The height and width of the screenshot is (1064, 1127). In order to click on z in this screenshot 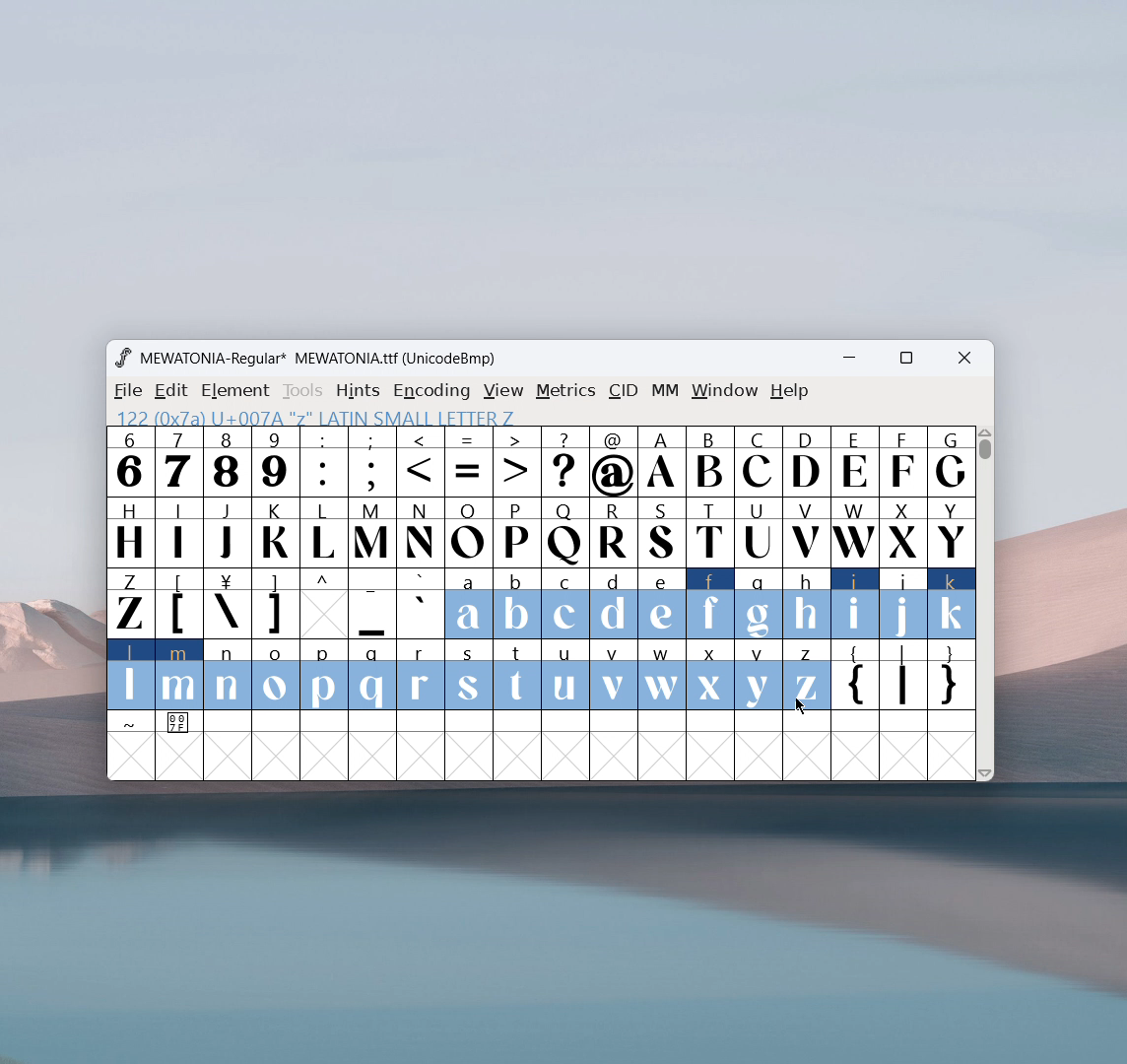, I will do `click(806, 675)`.